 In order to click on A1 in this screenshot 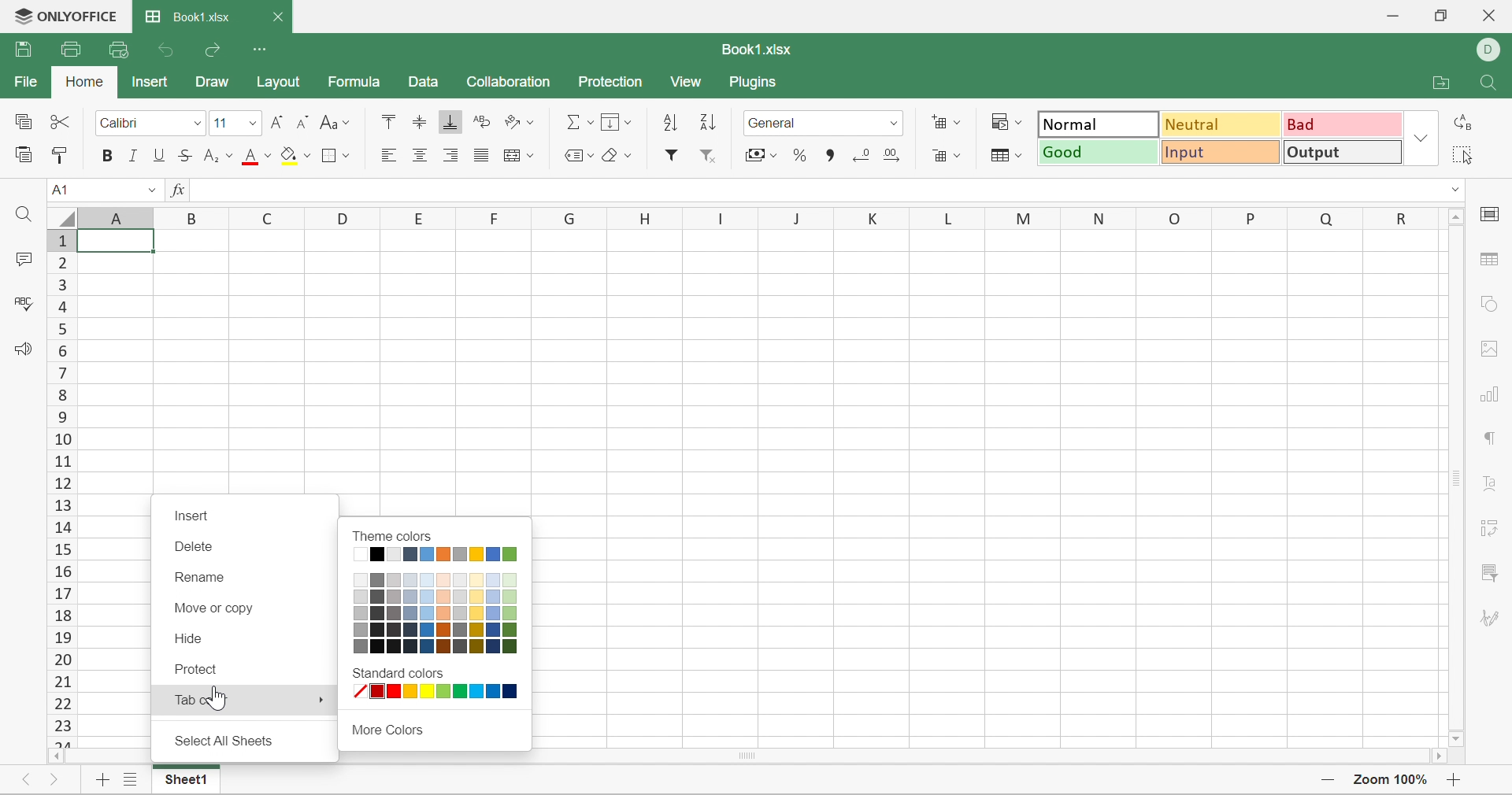, I will do `click(63, 190)`.